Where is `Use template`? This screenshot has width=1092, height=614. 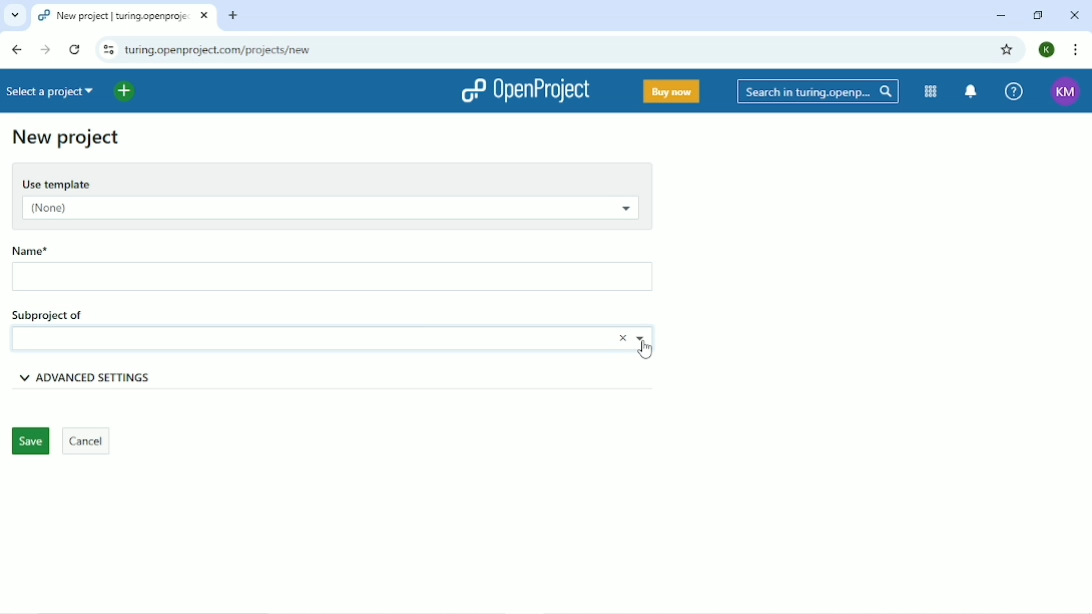 Use template is located at coordinates (331, 181).